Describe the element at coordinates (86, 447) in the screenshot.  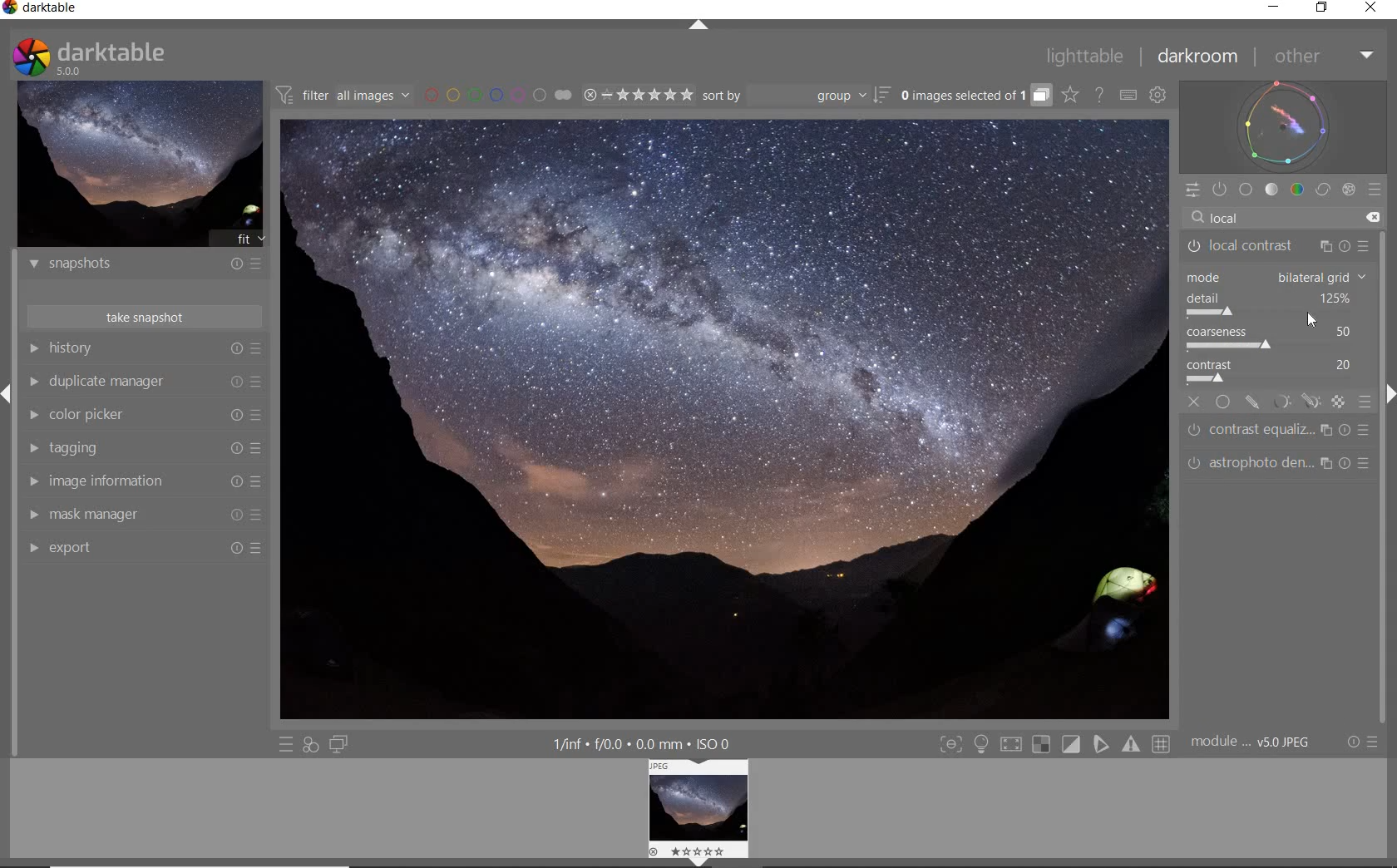
I see `tagging` at that location.